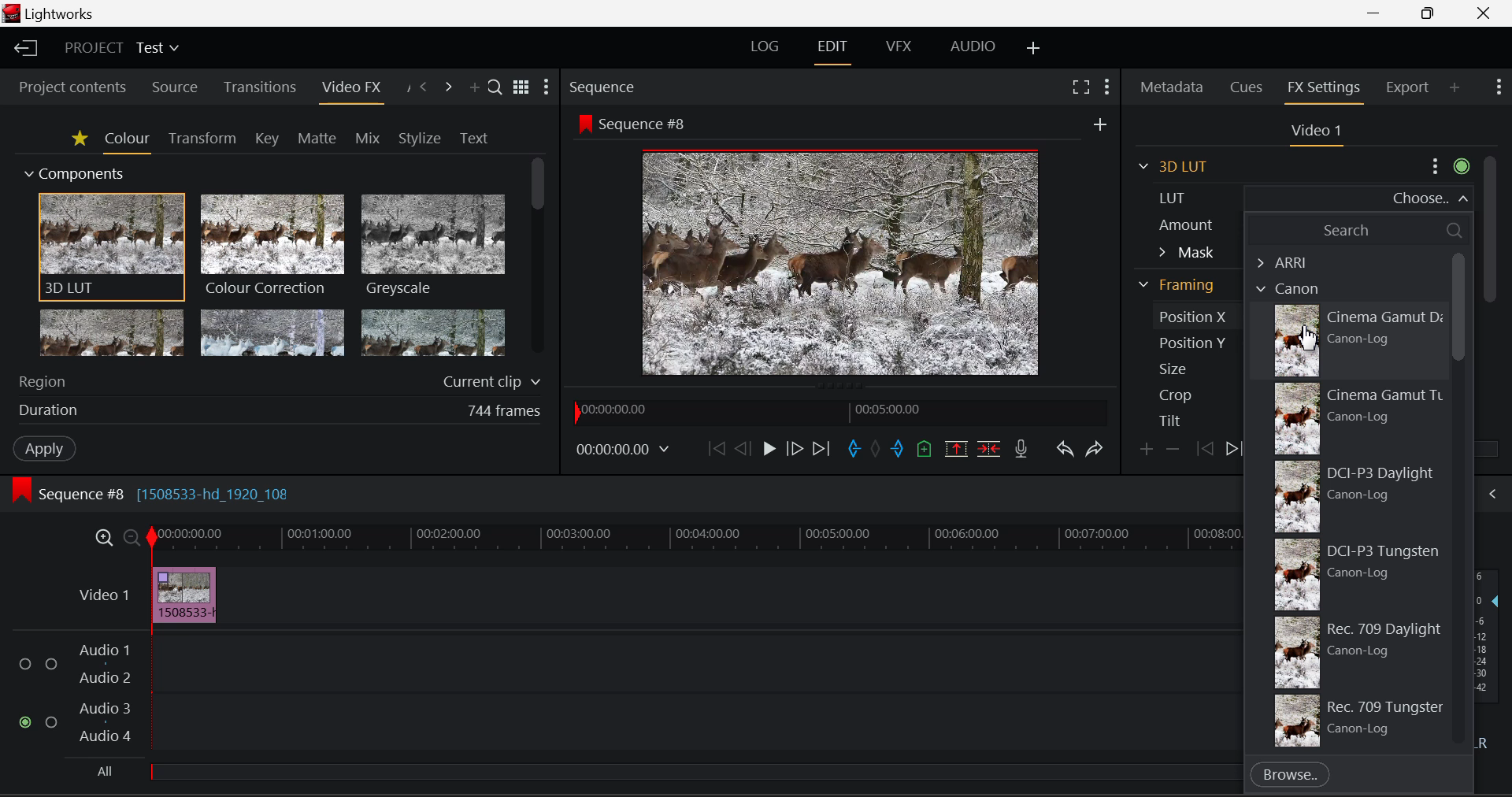  I want to click on Project Timeline Navigator, so click(838, 413).